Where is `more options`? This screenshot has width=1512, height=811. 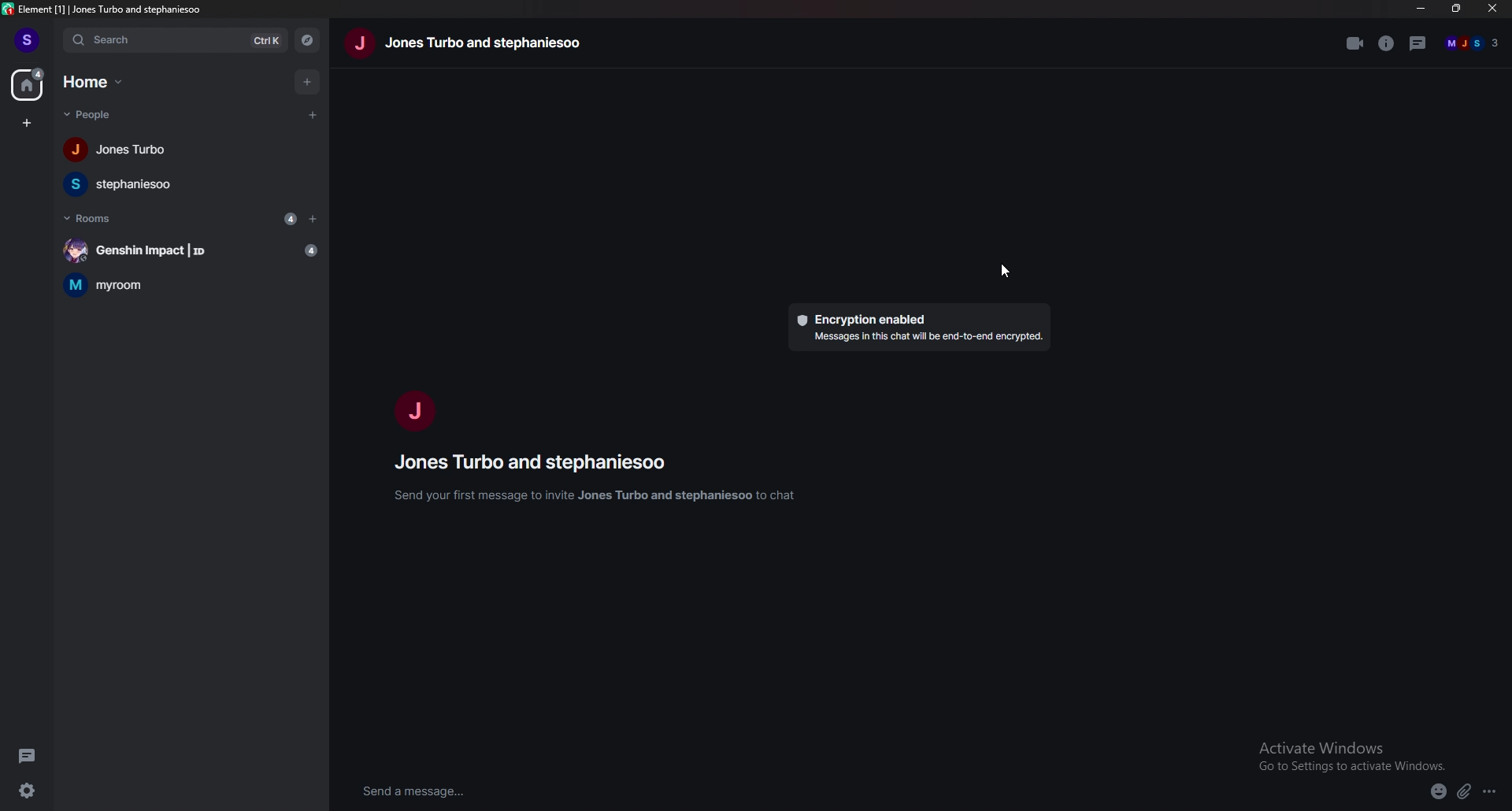
more options is located at coordinates (1490, 792).